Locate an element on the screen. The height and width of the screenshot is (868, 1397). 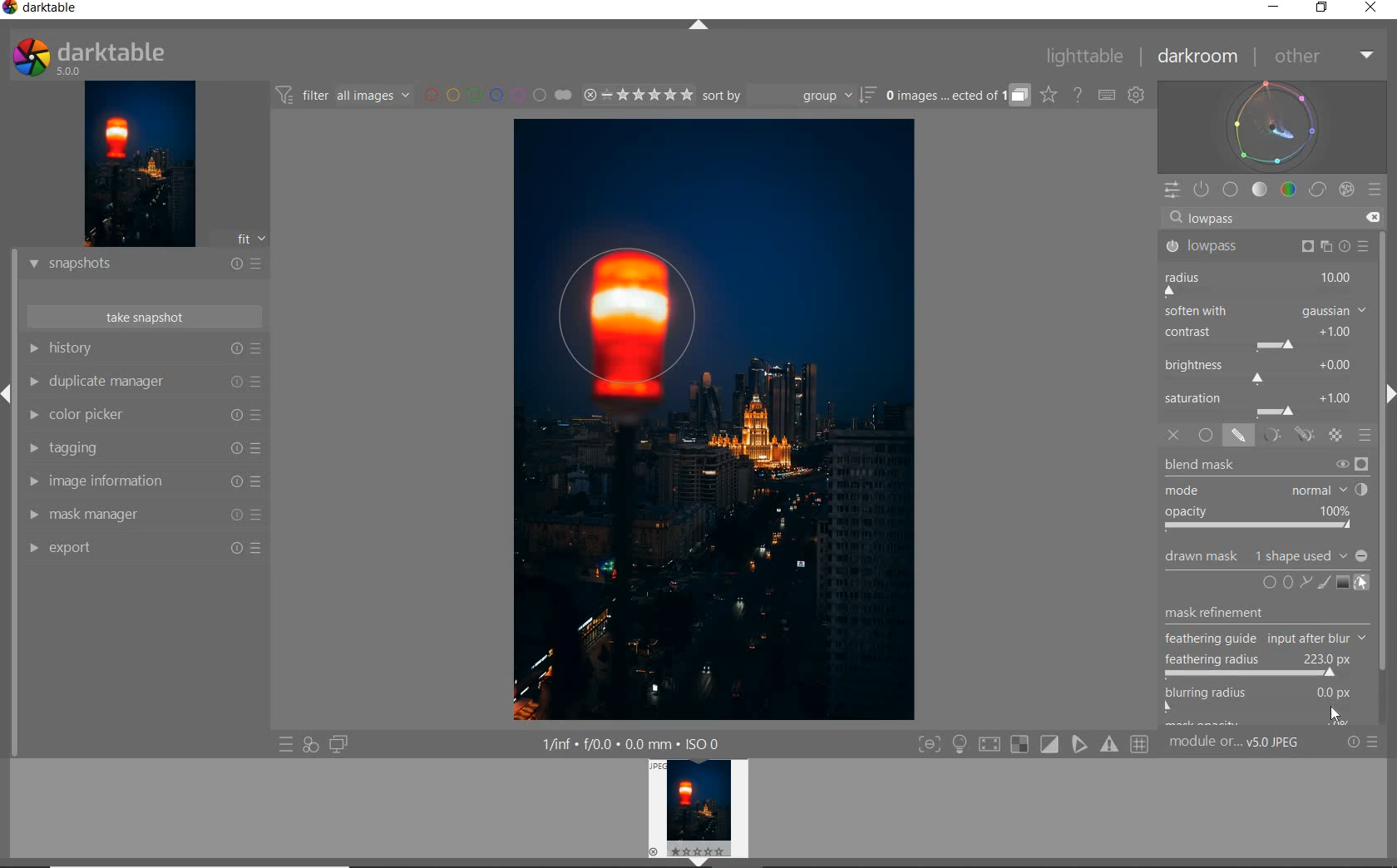
SHOW ONLY ACTIVE MODULES is located at coordinates (1202, 189).